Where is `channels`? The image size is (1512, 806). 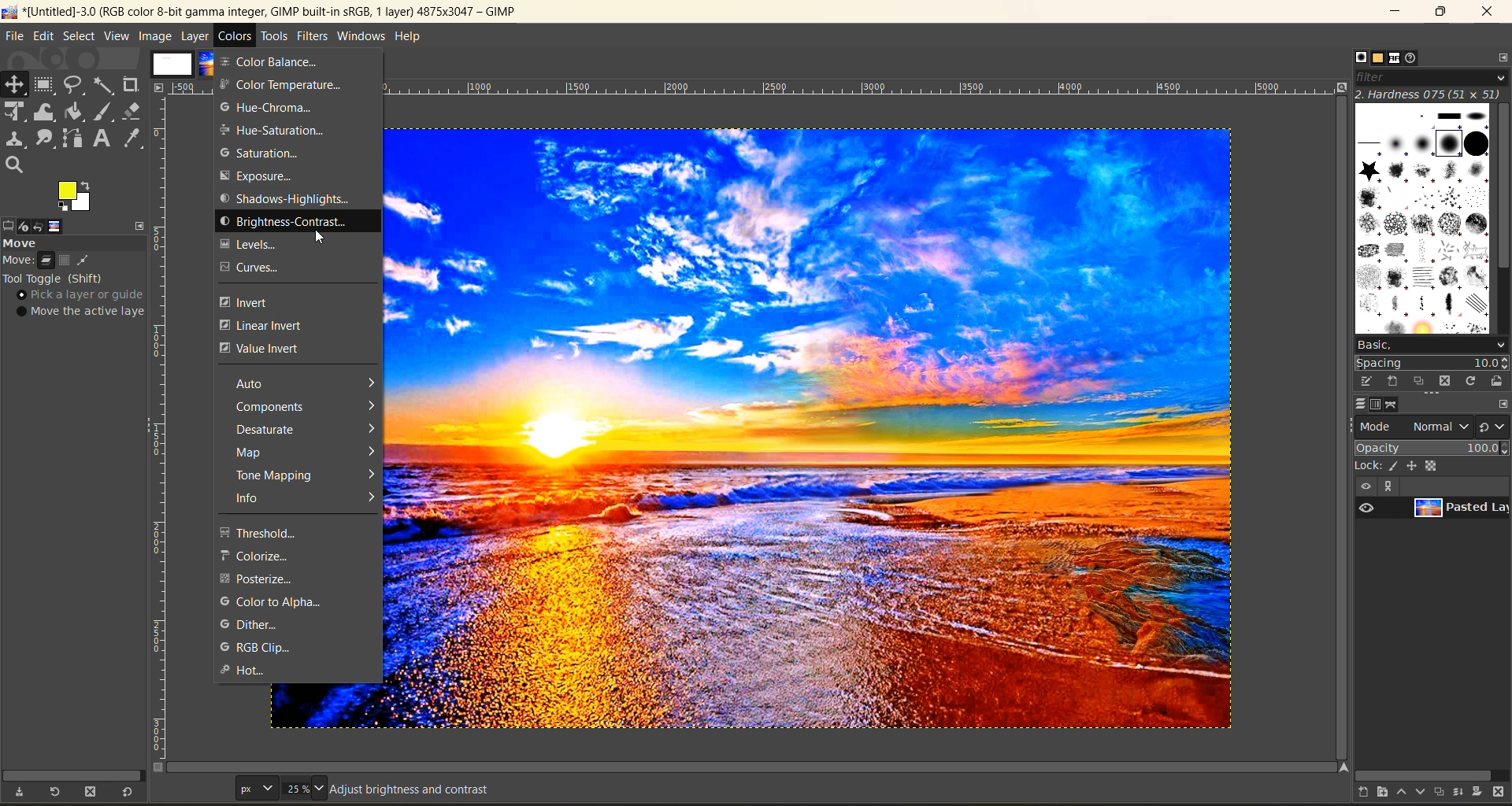
channels is located at coordinates (1376, 405).